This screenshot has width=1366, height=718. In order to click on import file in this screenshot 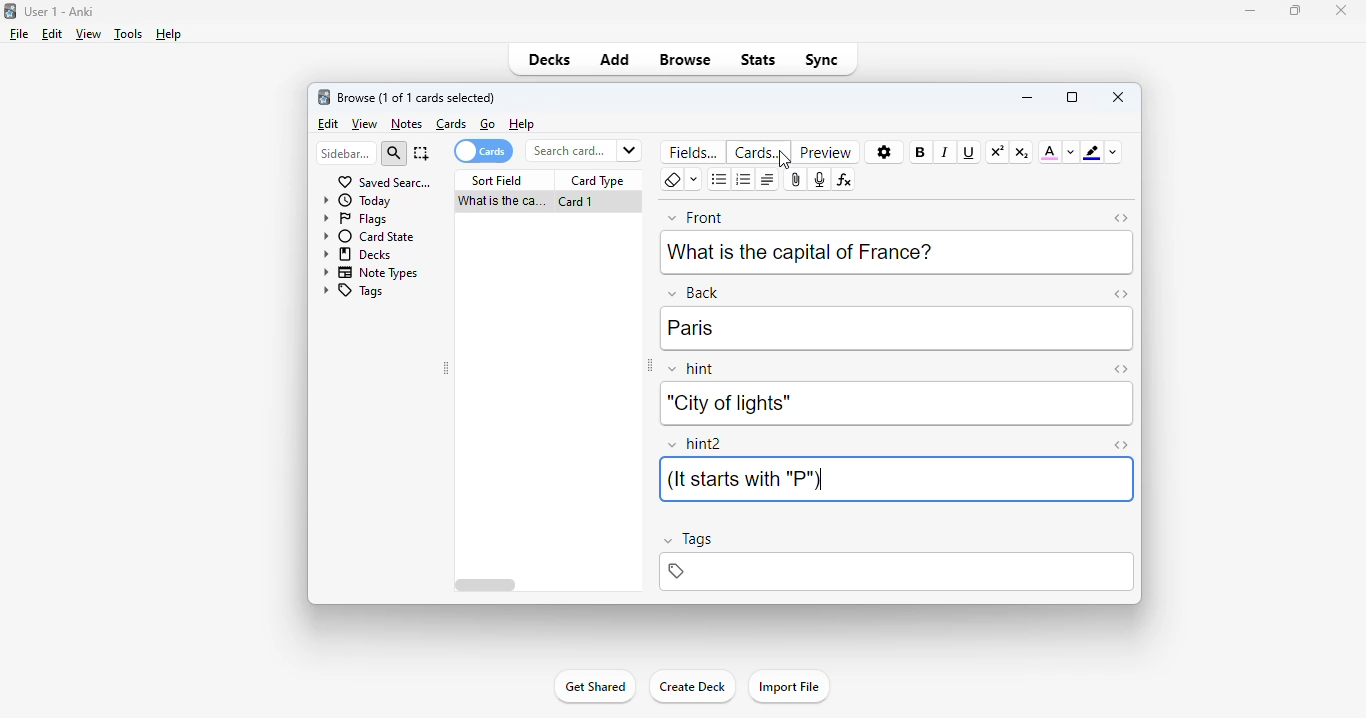, I will do `click(788, 687)`.